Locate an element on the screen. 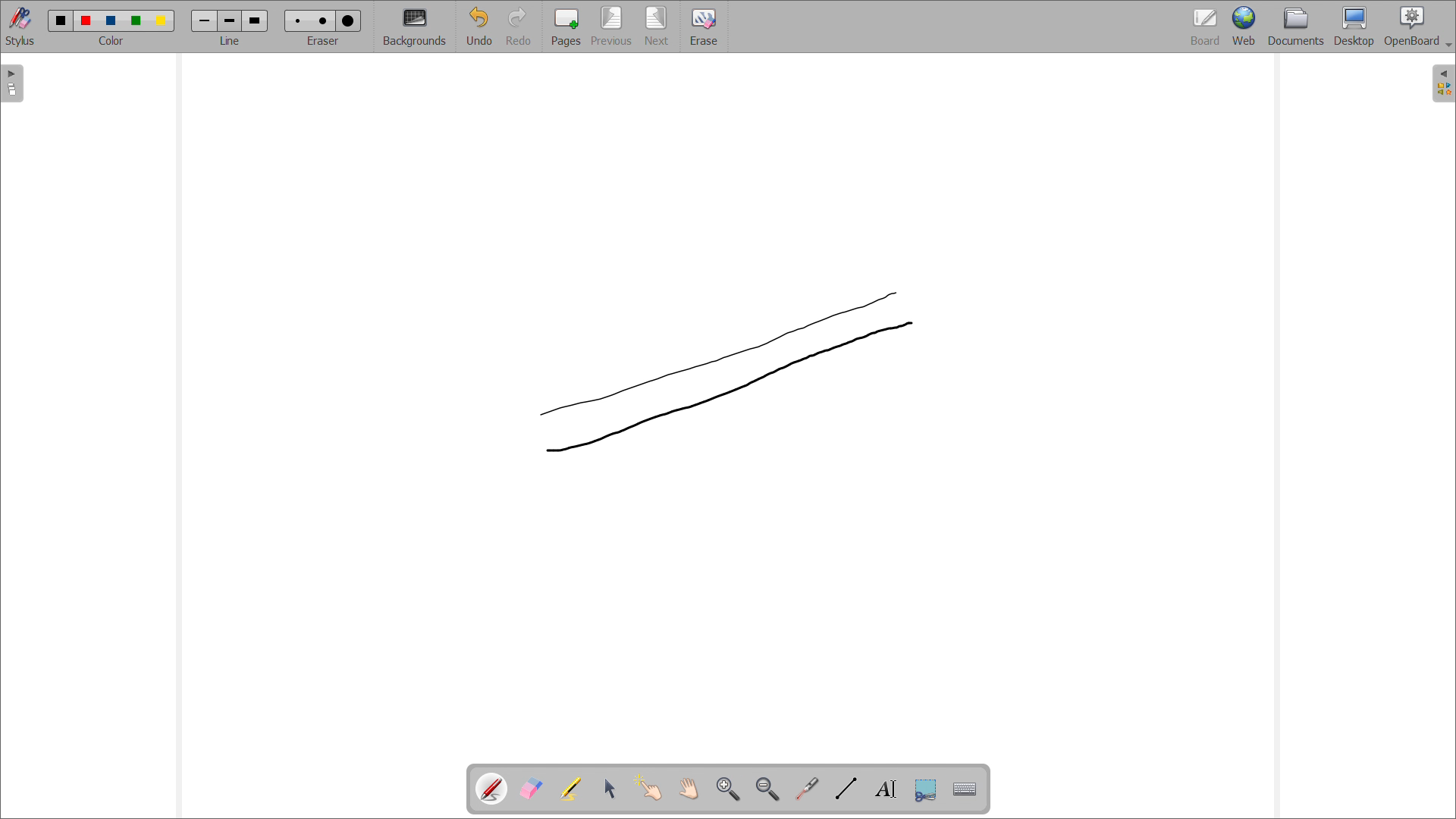  Eraser size is located at coordinates (323, 20).